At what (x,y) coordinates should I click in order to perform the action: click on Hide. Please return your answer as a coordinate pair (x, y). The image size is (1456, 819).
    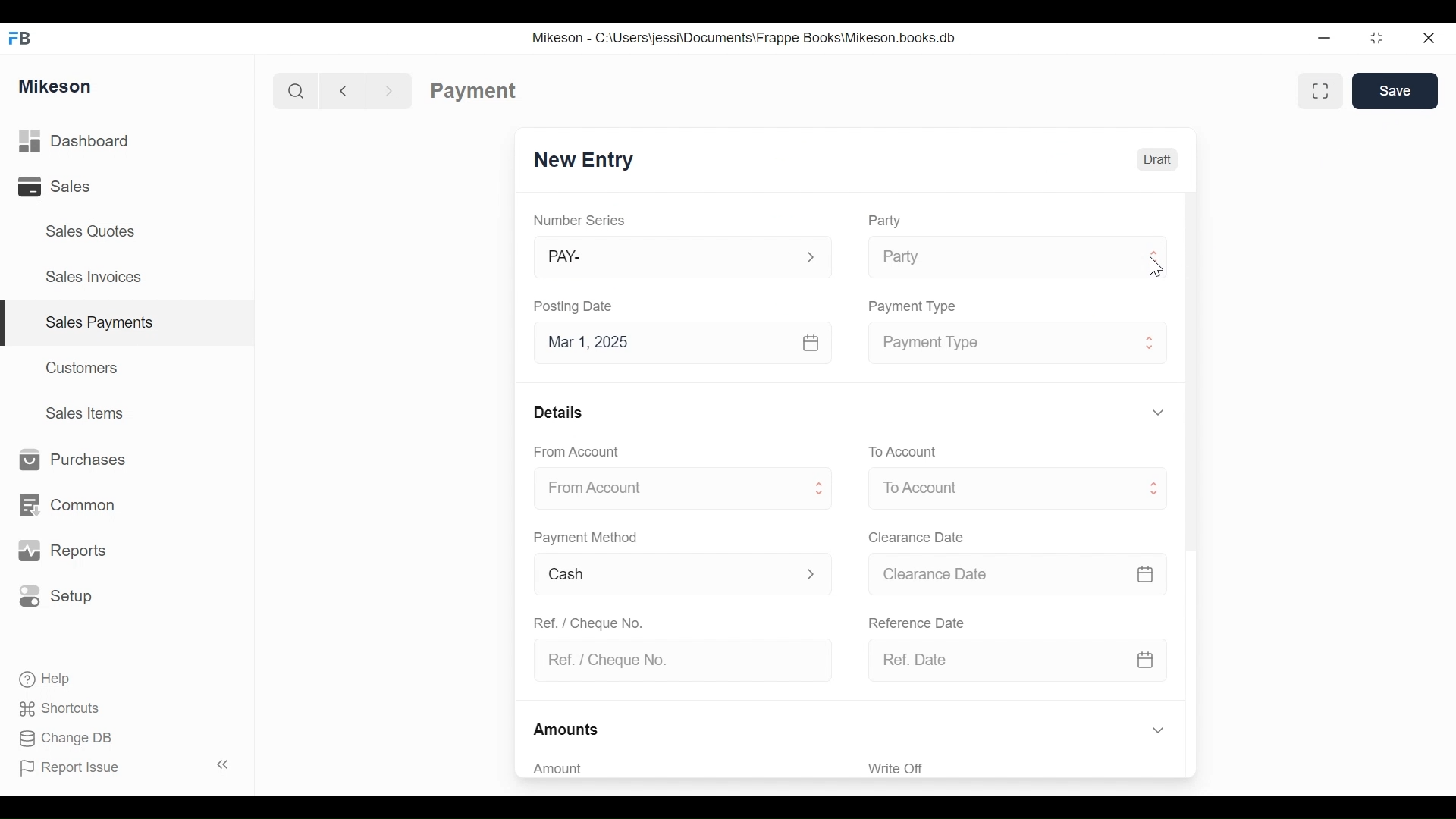
    Looking at the image, I should click on (1157, 410).